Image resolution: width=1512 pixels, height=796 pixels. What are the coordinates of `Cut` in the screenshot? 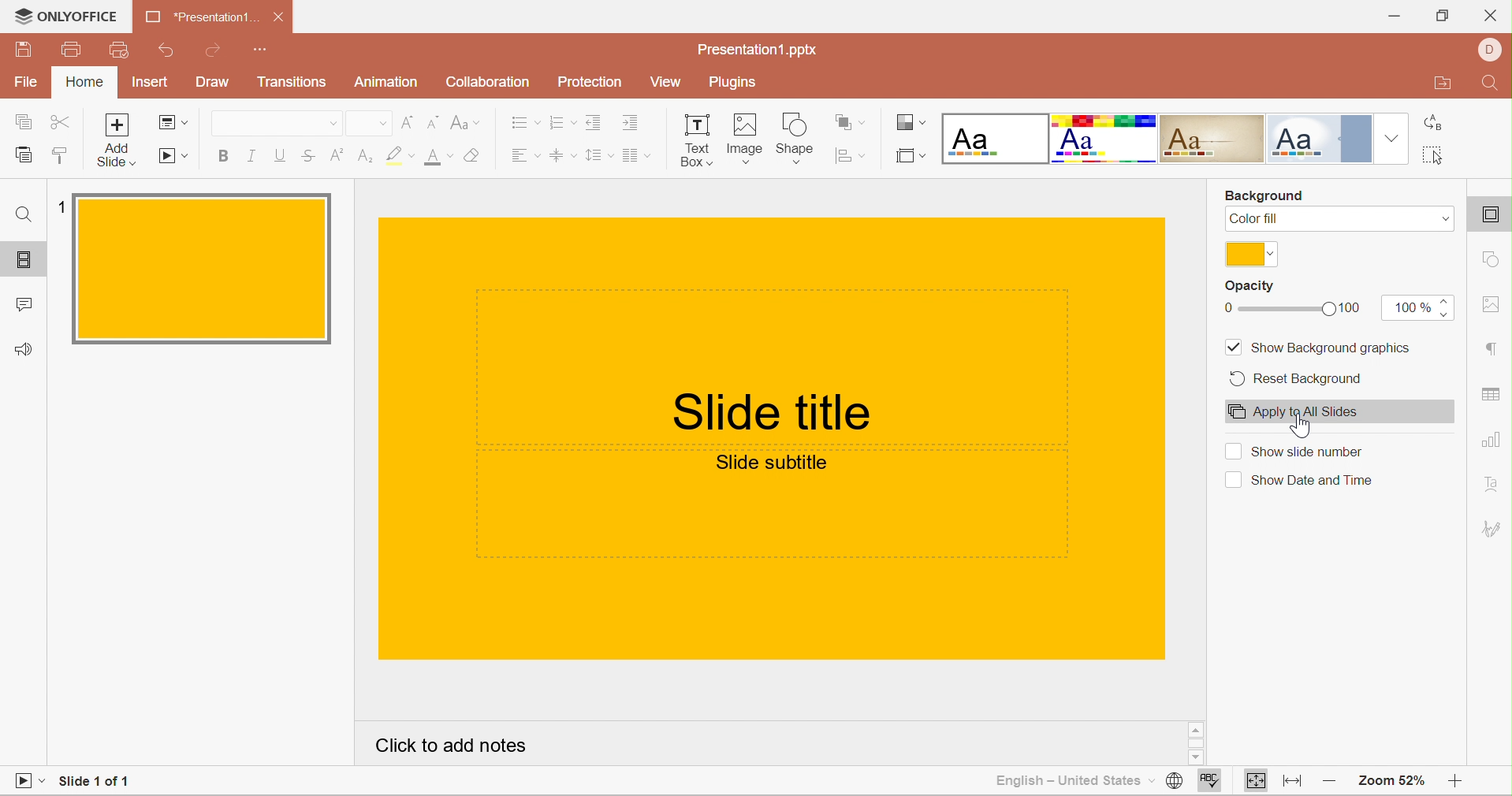 It's located at (61, 125).